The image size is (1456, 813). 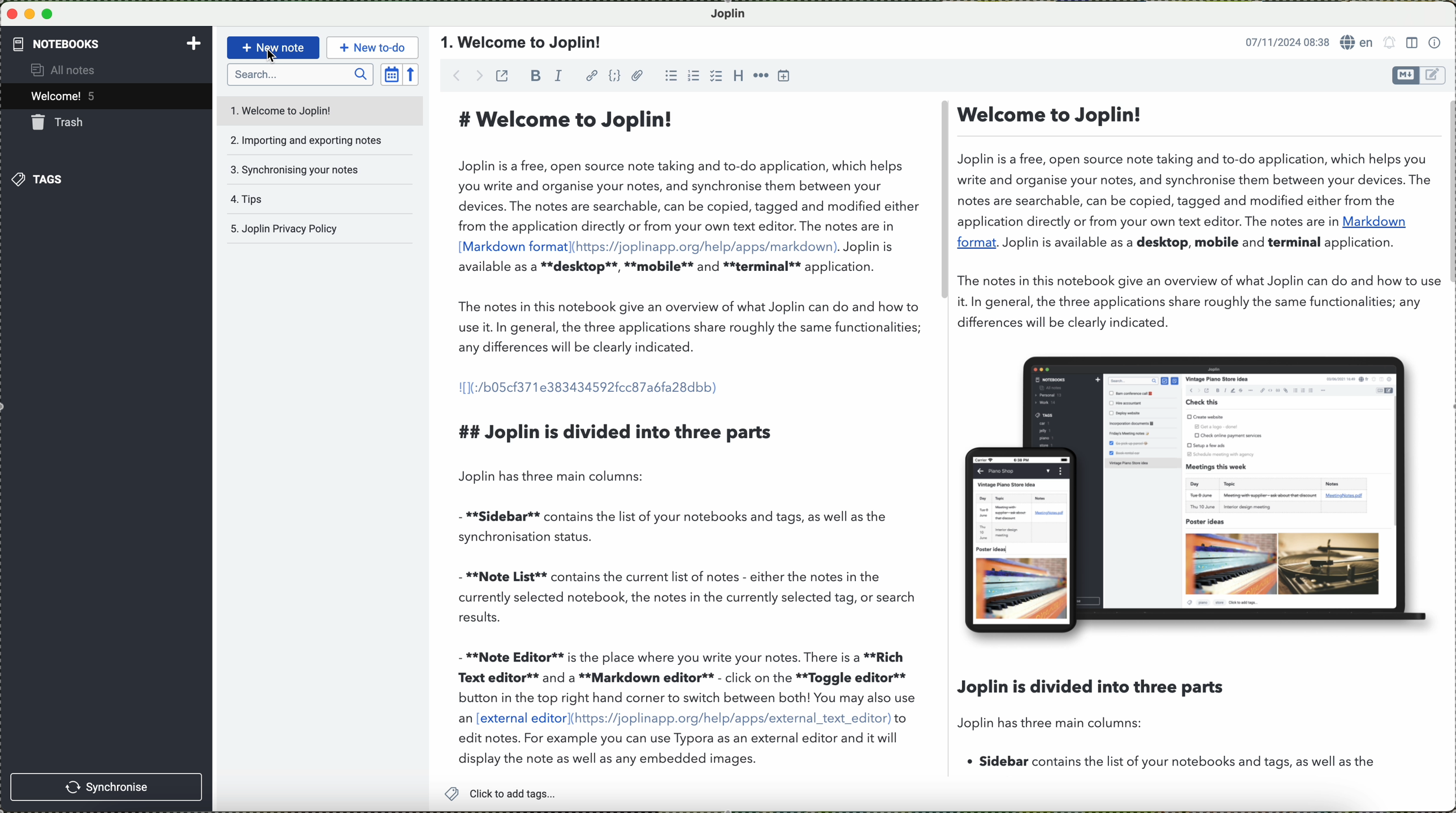 I want to click on language, so click(x=1357, y=42).